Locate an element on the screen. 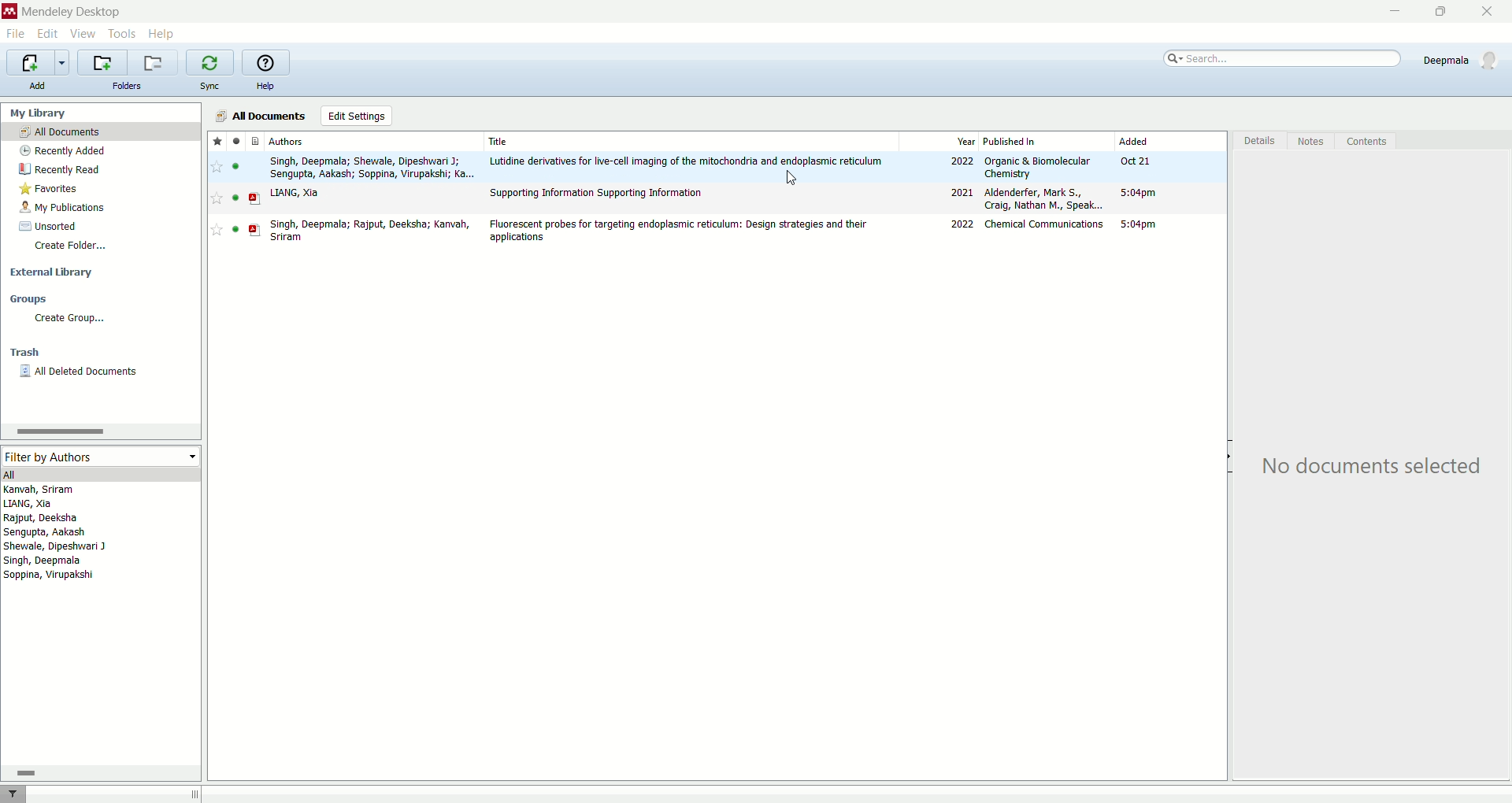 This screenshot has height=803, width=1512. title is located at coordinates (500, 141).